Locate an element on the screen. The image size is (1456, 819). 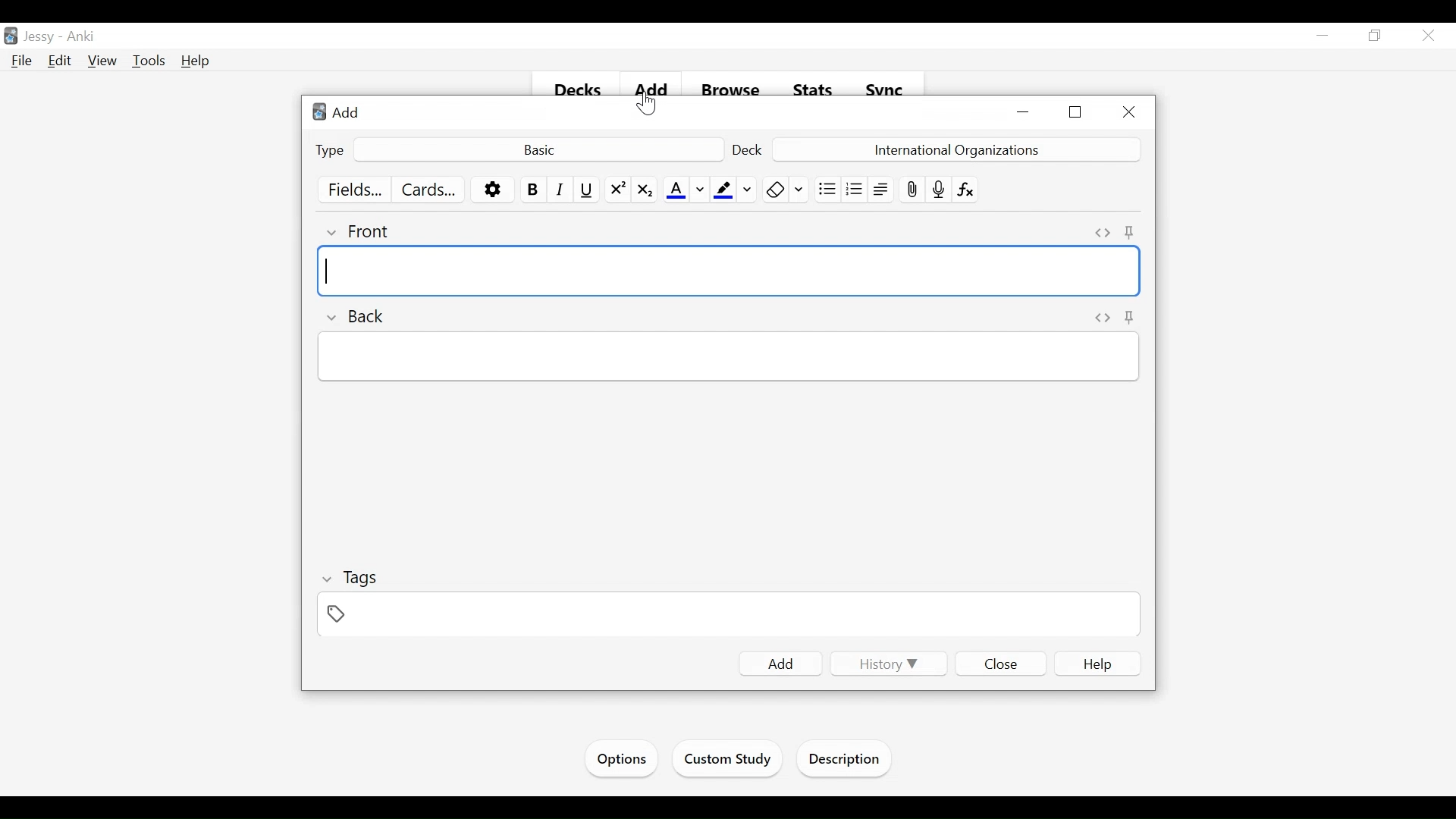
Ordered list is located at coordinates (853, 188).